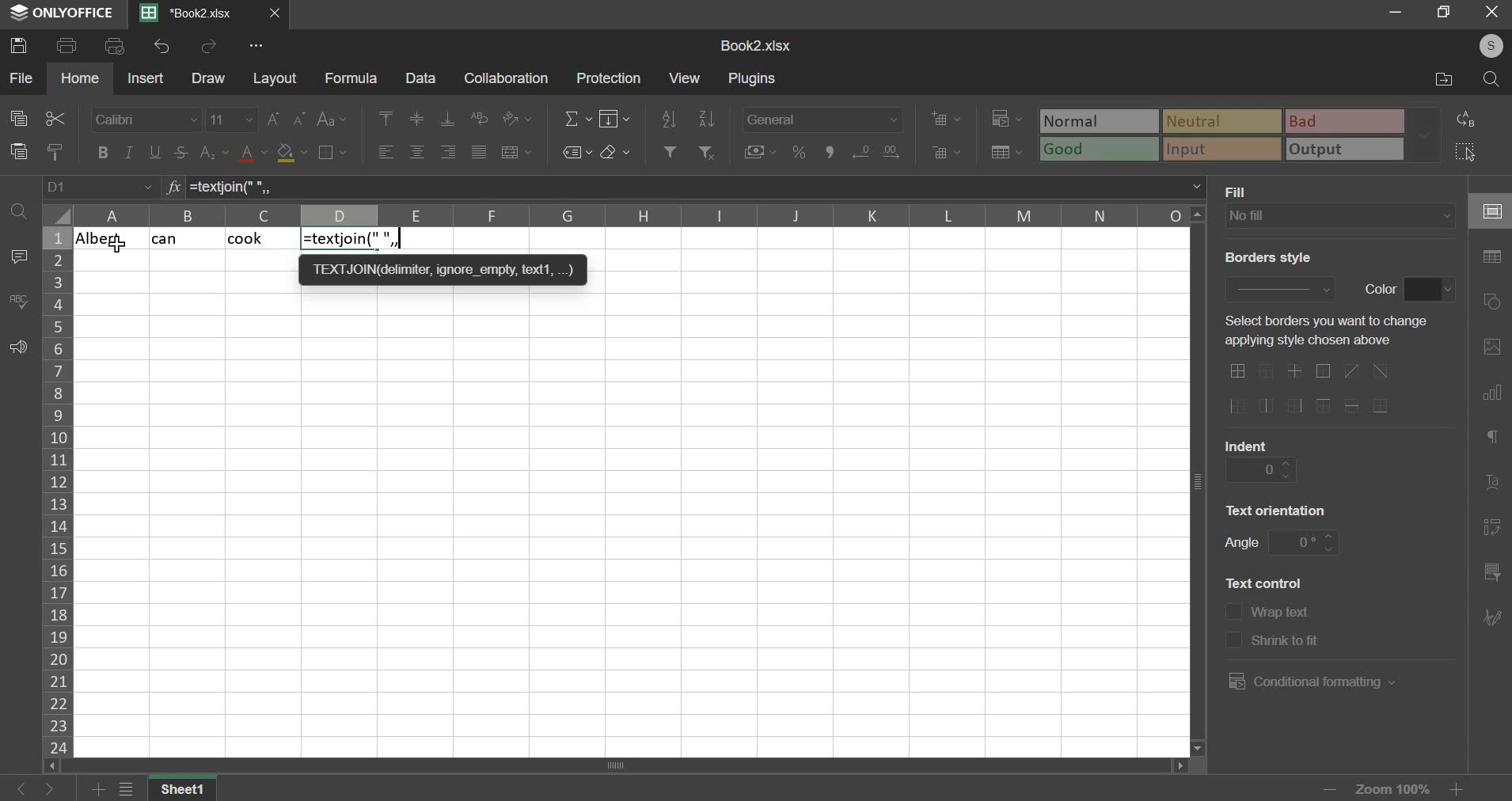  What do you see at coordinates (1283, 614) in the screenshot?
I see `text` at bounding box center [1283, 614].